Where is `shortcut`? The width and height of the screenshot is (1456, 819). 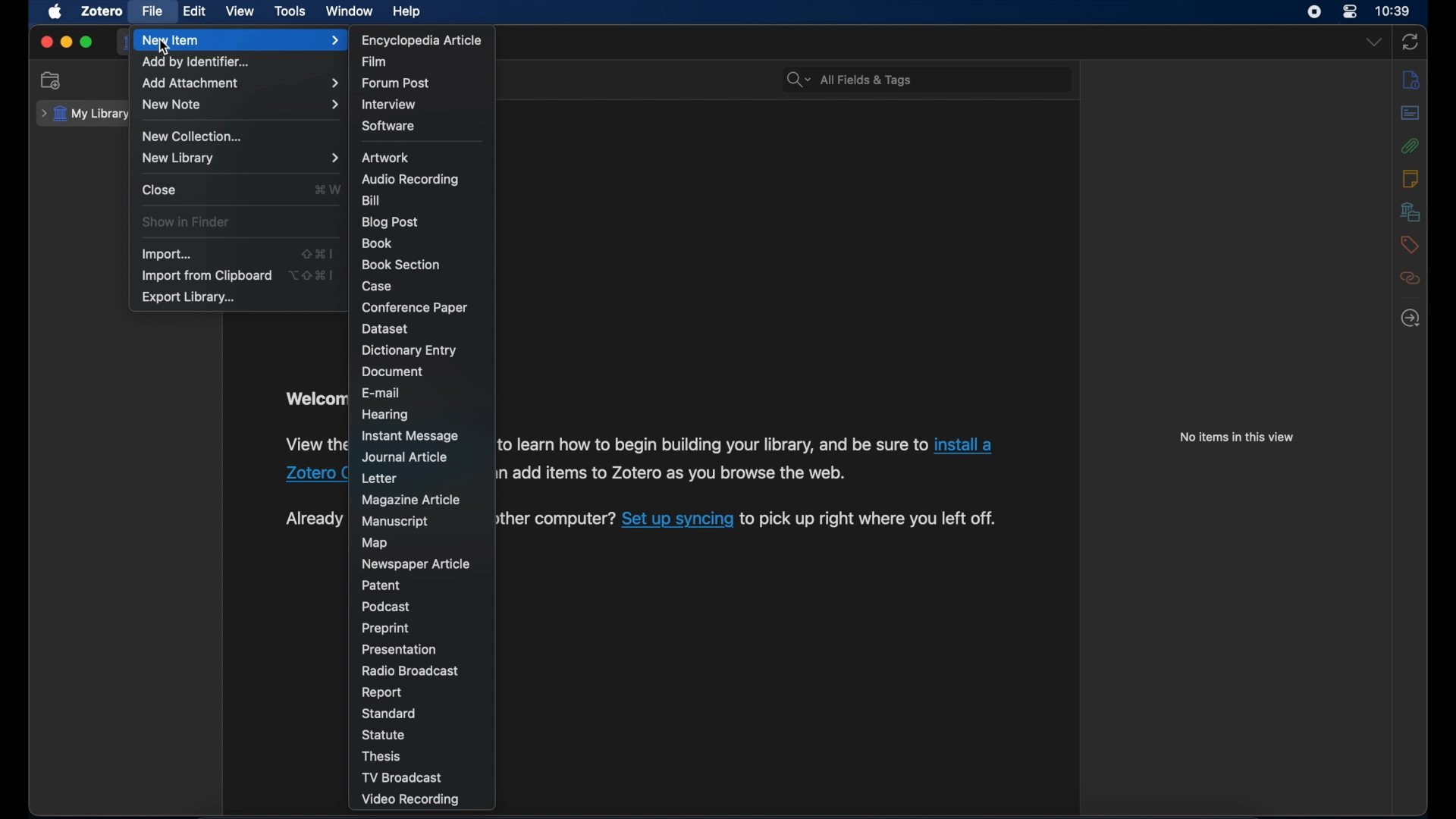
shortcut is located at coordinates (311, 275).